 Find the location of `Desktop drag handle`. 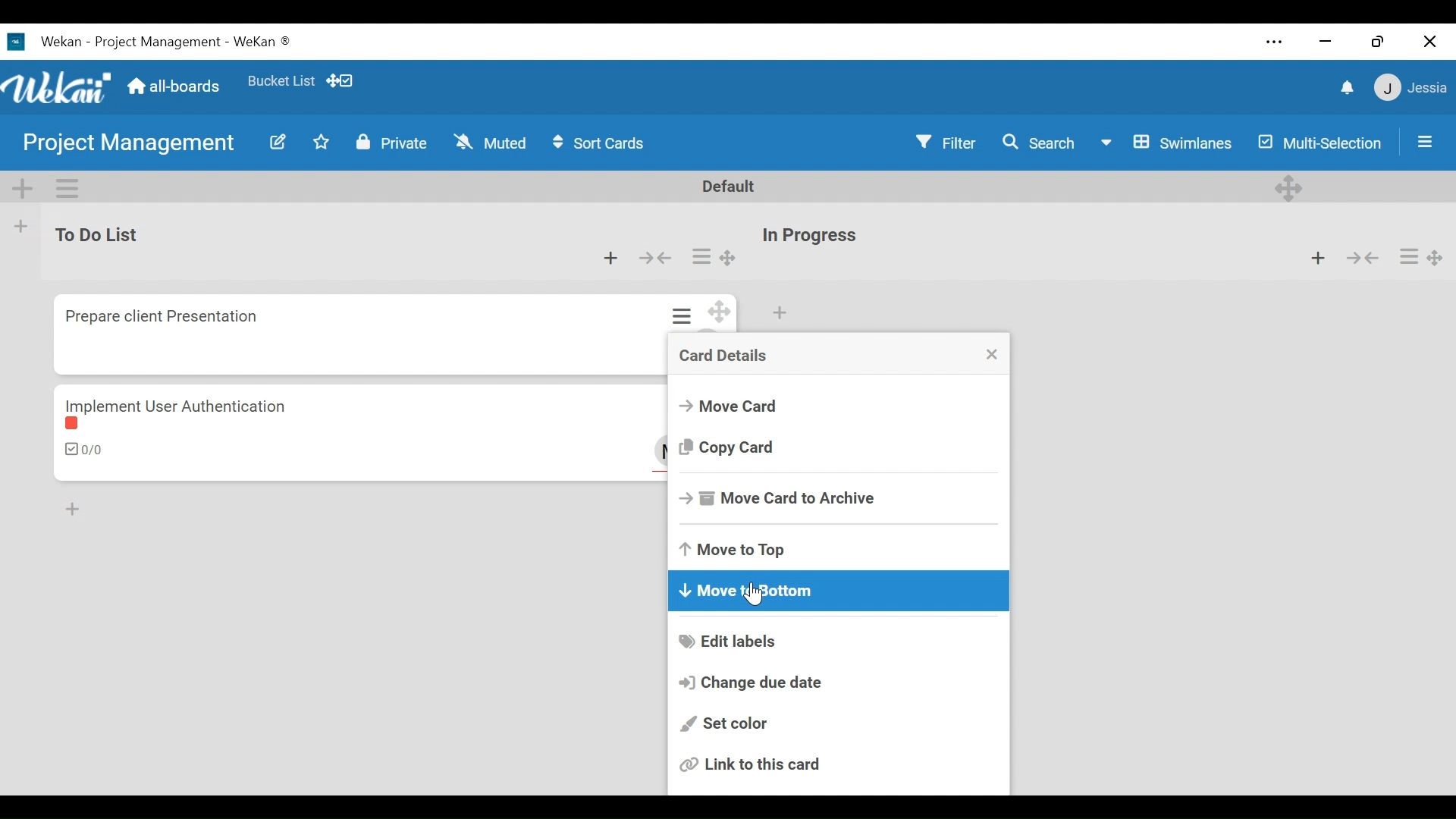

Desktop drag handle is located at coordinates (1437, 259).